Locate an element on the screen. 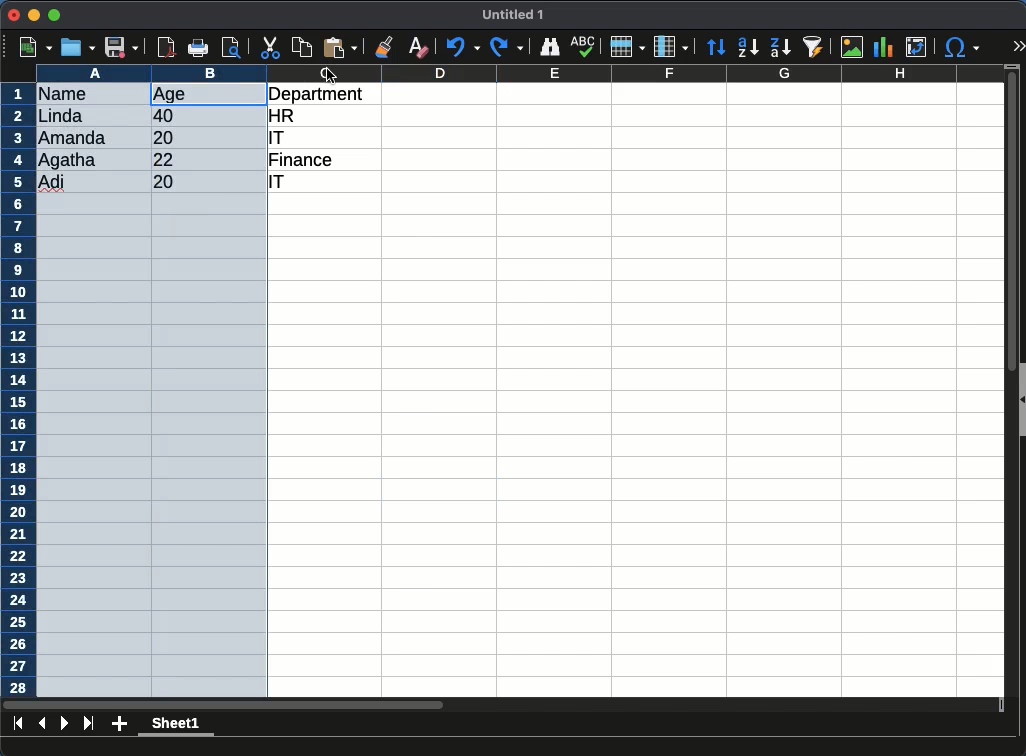 The width and height of the screenshot is (1026, 756). add is located at coordinates (119, 725).